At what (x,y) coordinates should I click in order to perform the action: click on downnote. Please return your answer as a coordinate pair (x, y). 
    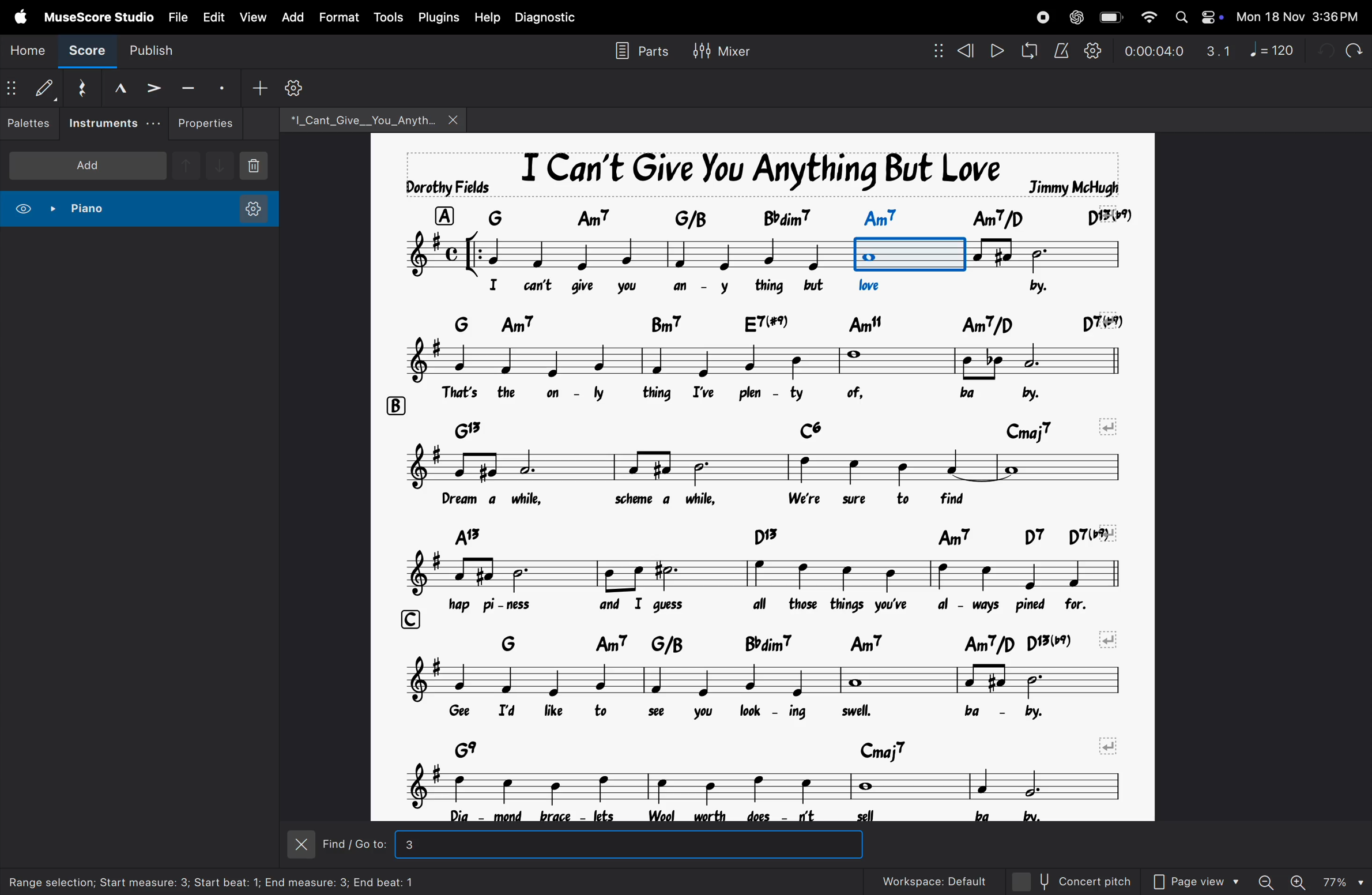
    Looking at the image, I should click on (218, 164).